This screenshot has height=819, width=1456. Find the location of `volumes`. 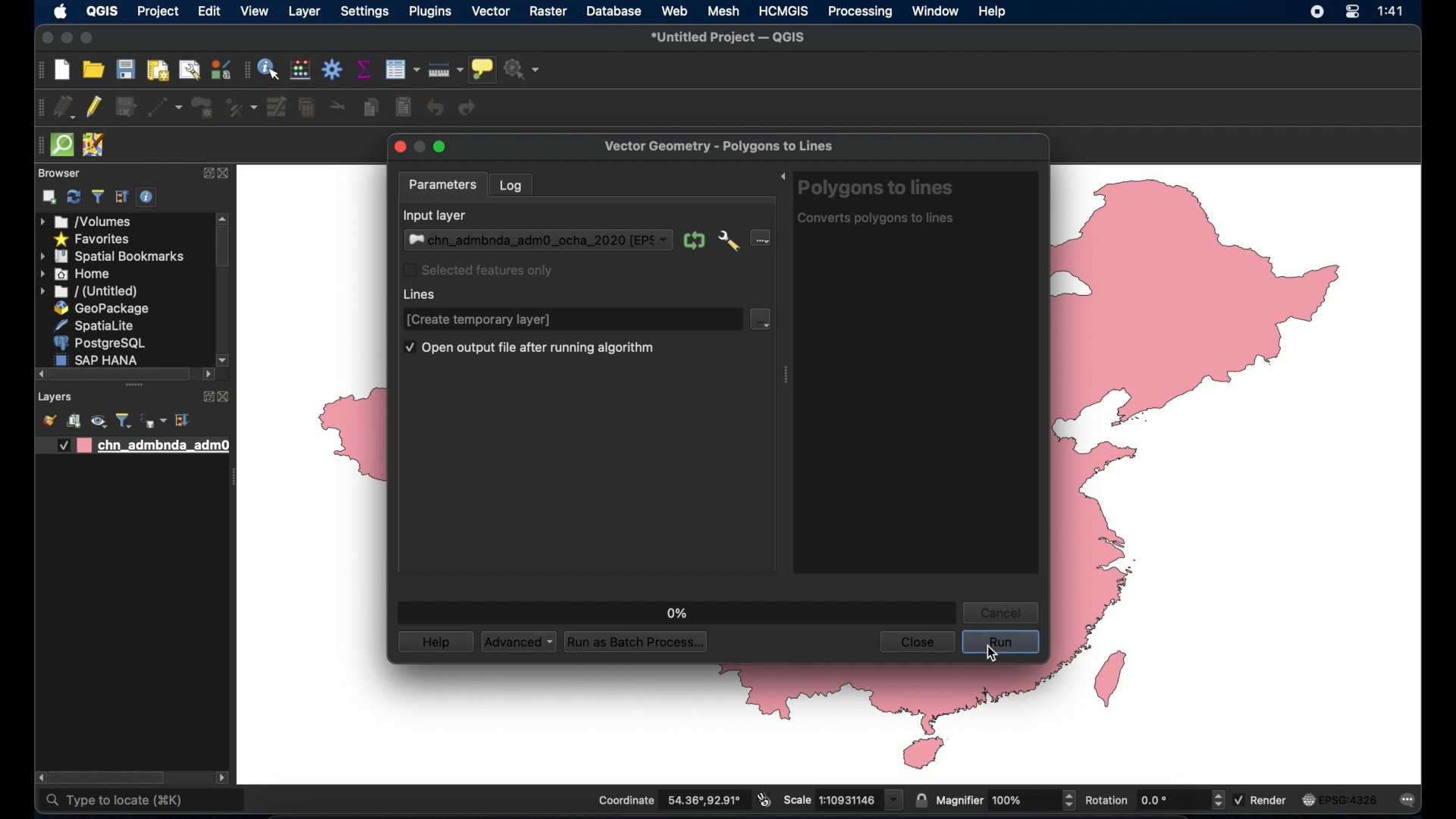

volumes is located at coordinates (86, 221).